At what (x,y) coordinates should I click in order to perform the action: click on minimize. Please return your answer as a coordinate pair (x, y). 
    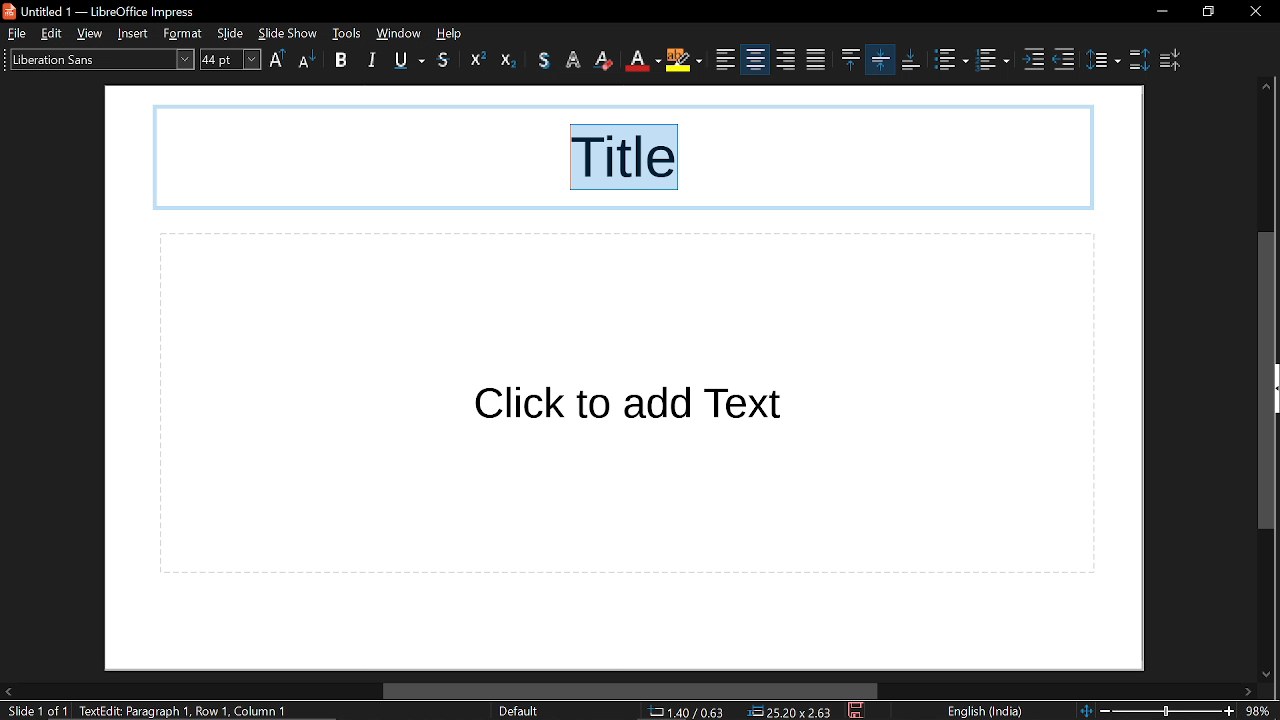
    Looking at the image, I should click on (1161, 12).